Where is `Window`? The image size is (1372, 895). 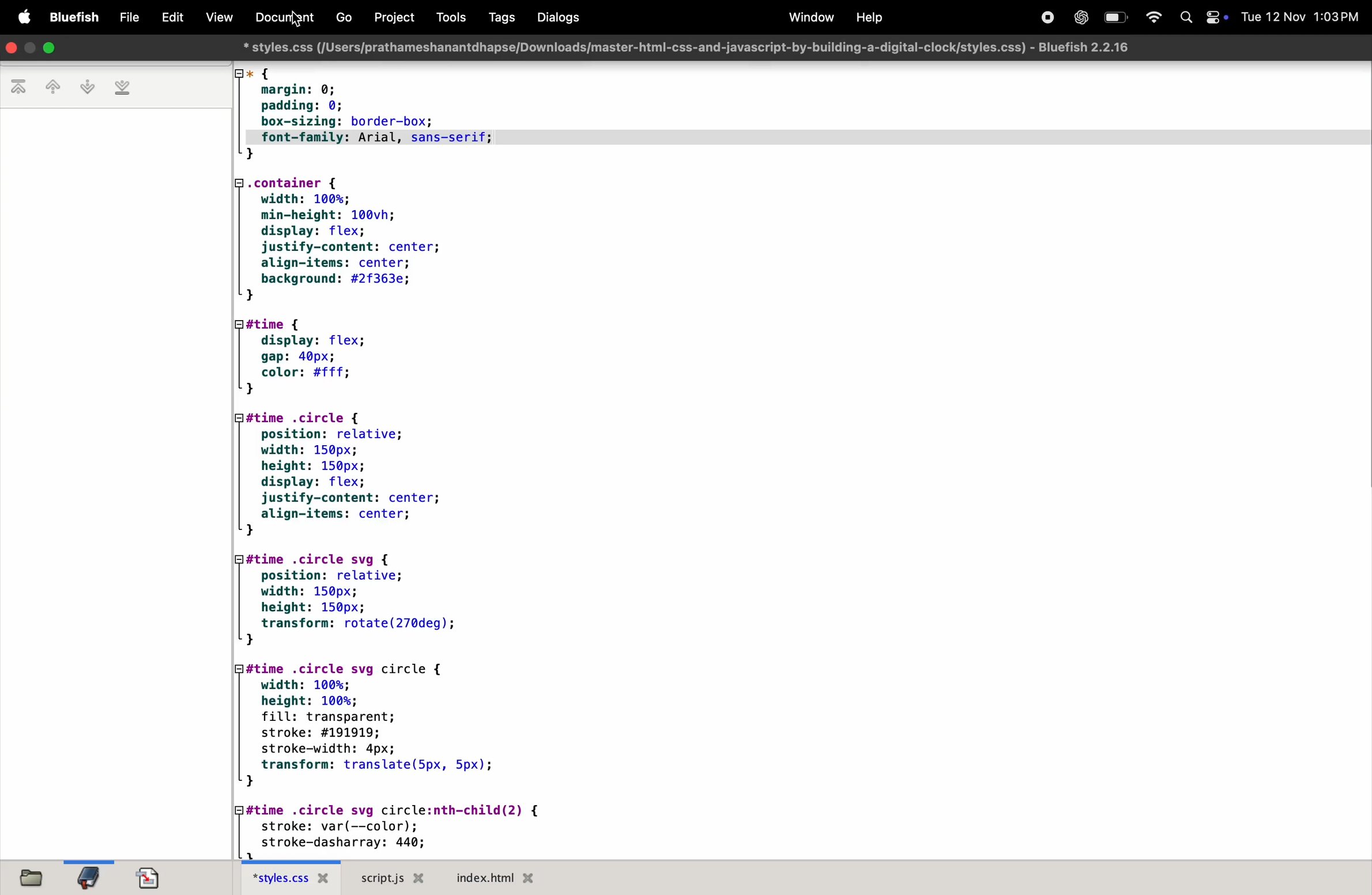
Window is located at coordinates (808, 17).